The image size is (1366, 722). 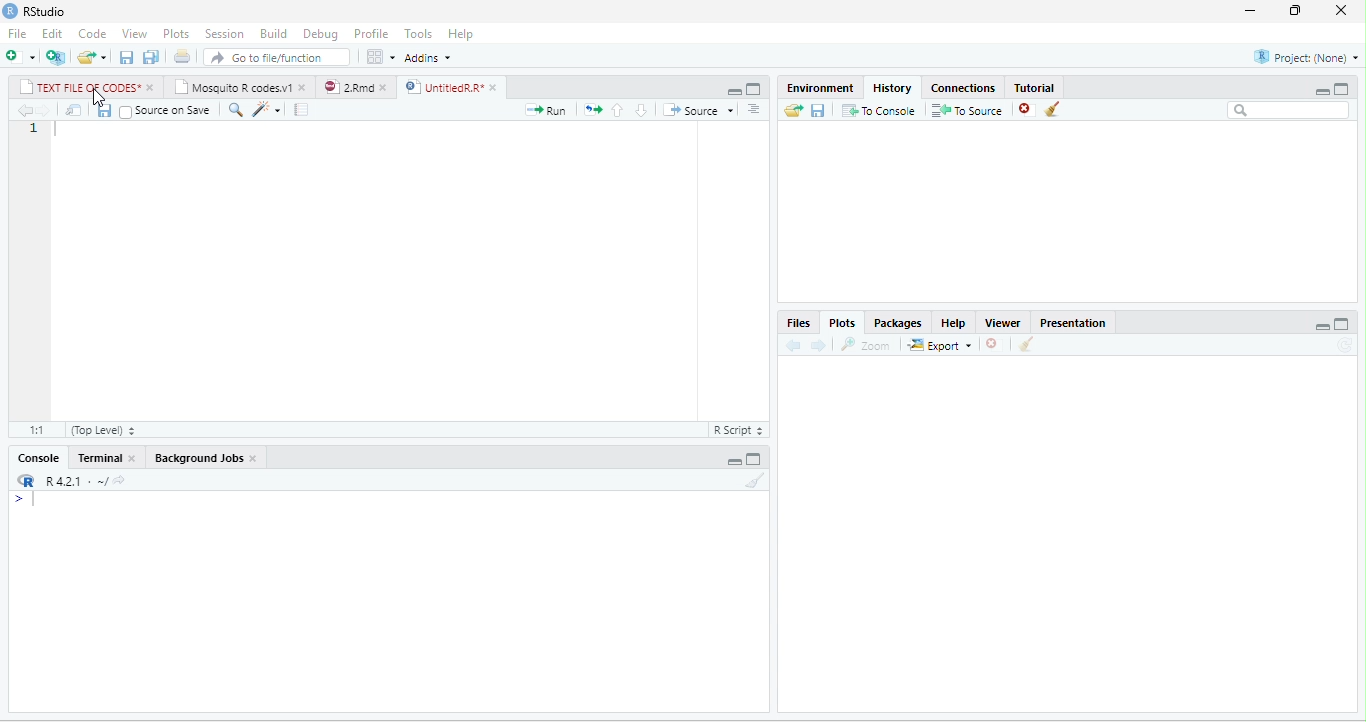 What do you see at coordinates (734, 92) in the screenshot?
I see `minimize` at bounding box center [734, 92].